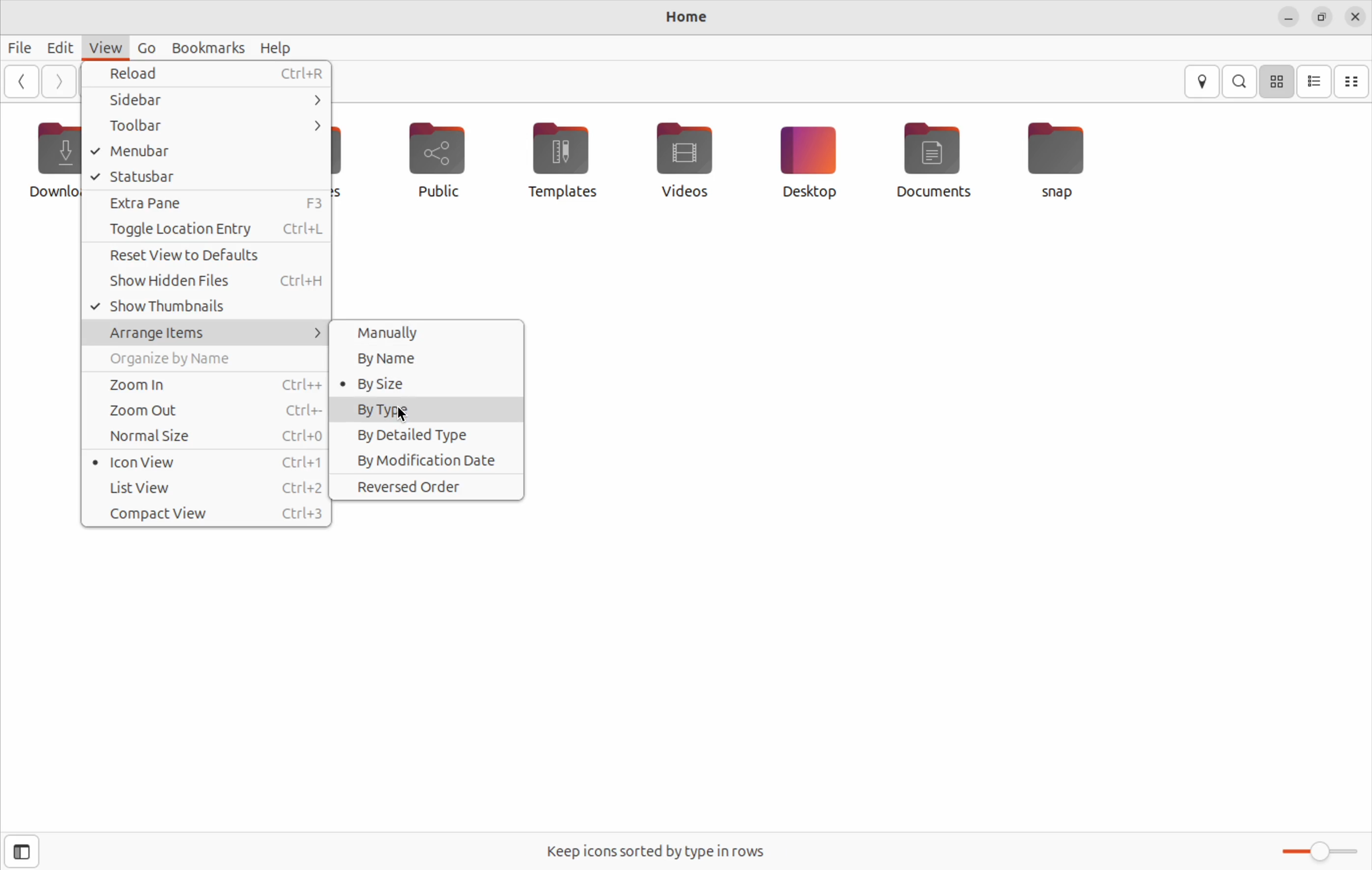 Image resolution: width=1372 pixels, height=870 pixels. I want to click on organize by name, so click(210, 359).